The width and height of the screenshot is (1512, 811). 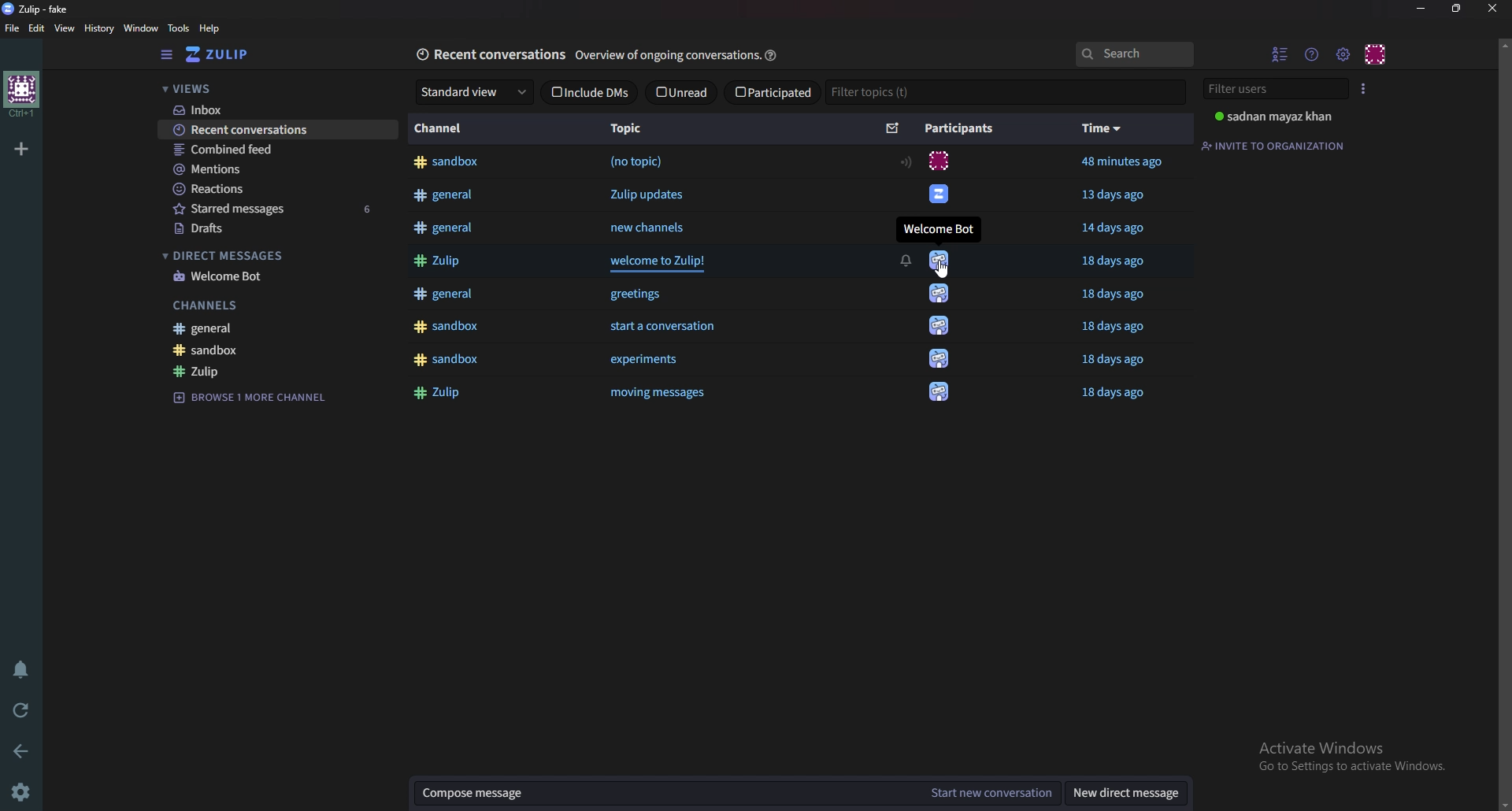 I want to click on Drafts, so click(x=278, y=229).